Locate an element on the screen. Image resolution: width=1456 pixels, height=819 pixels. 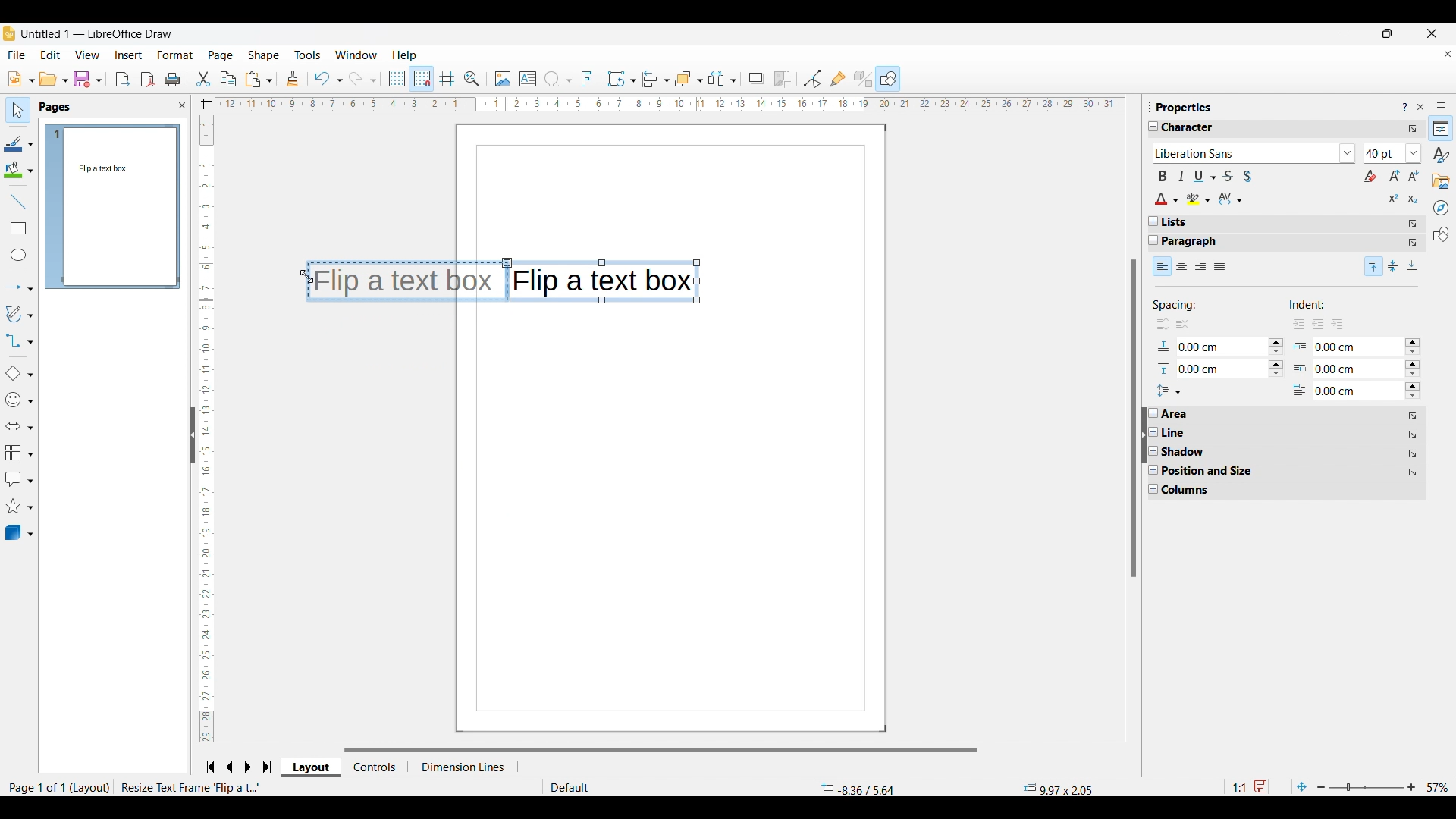
Horizontal ruler is located at coordinates (660, 105).